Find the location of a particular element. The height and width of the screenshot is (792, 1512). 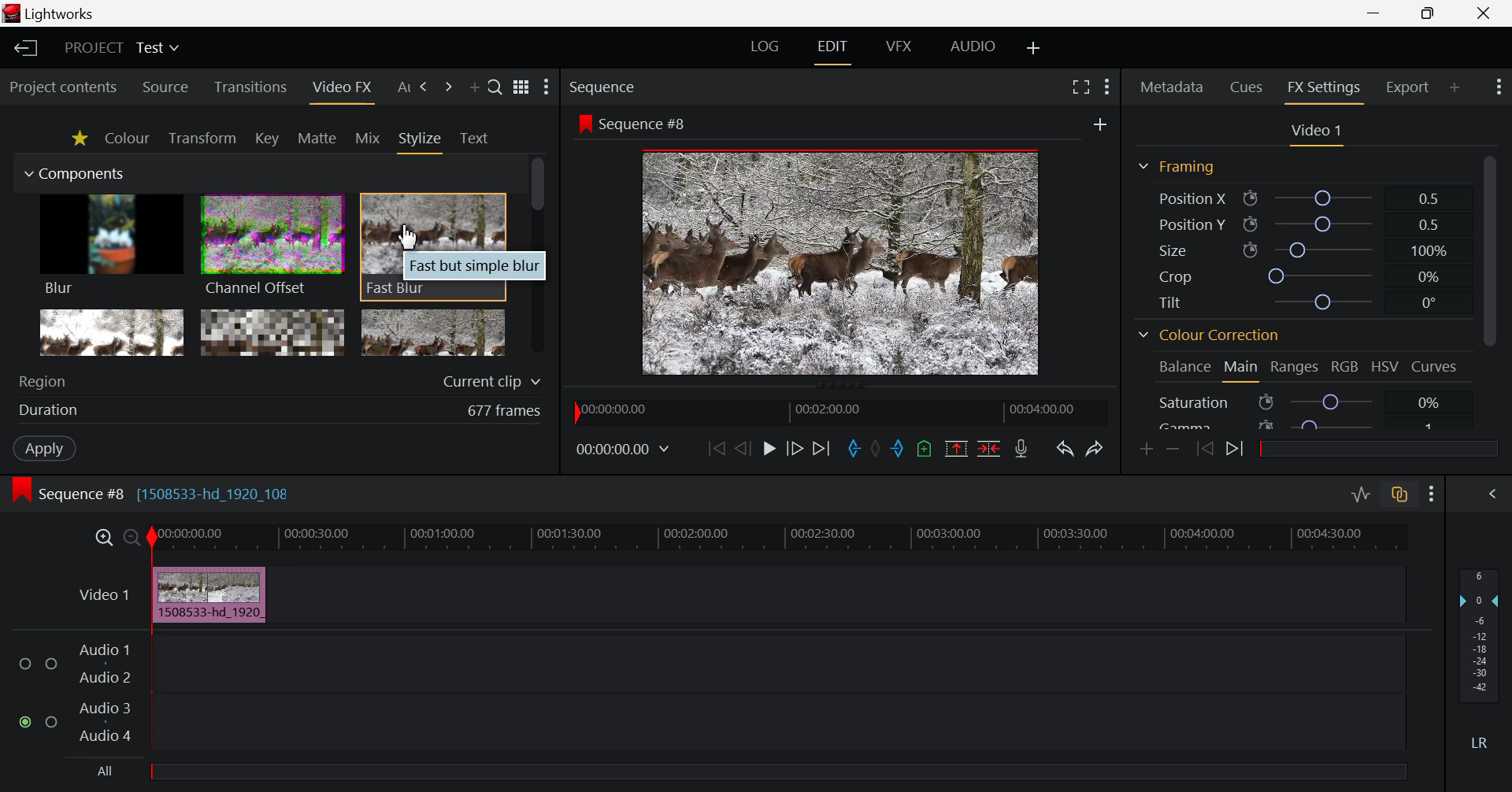

Region is located at coordinates (277, 378).